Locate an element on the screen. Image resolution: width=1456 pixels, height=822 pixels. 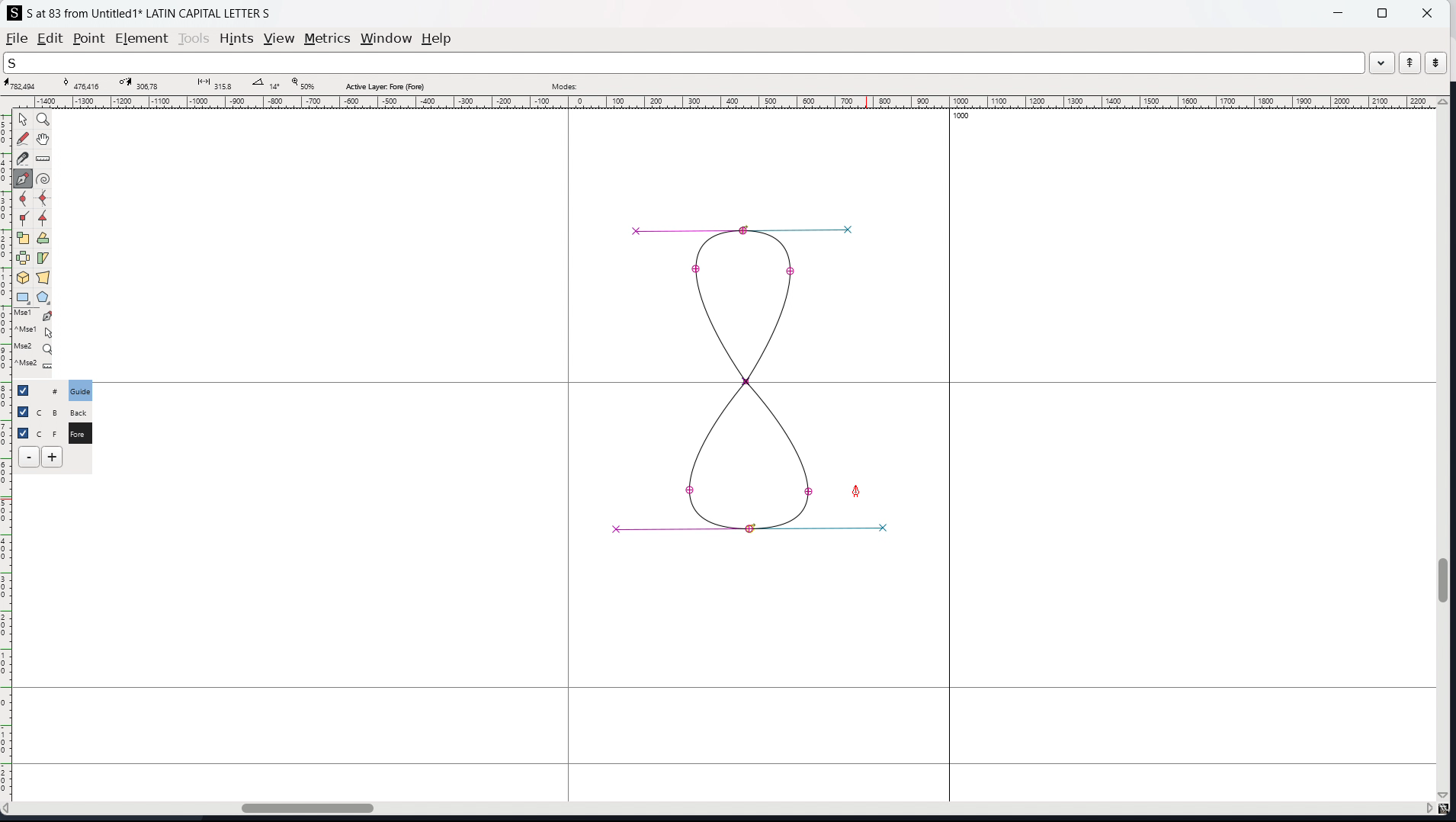
scale the selection is located at coordinates (24, 239).